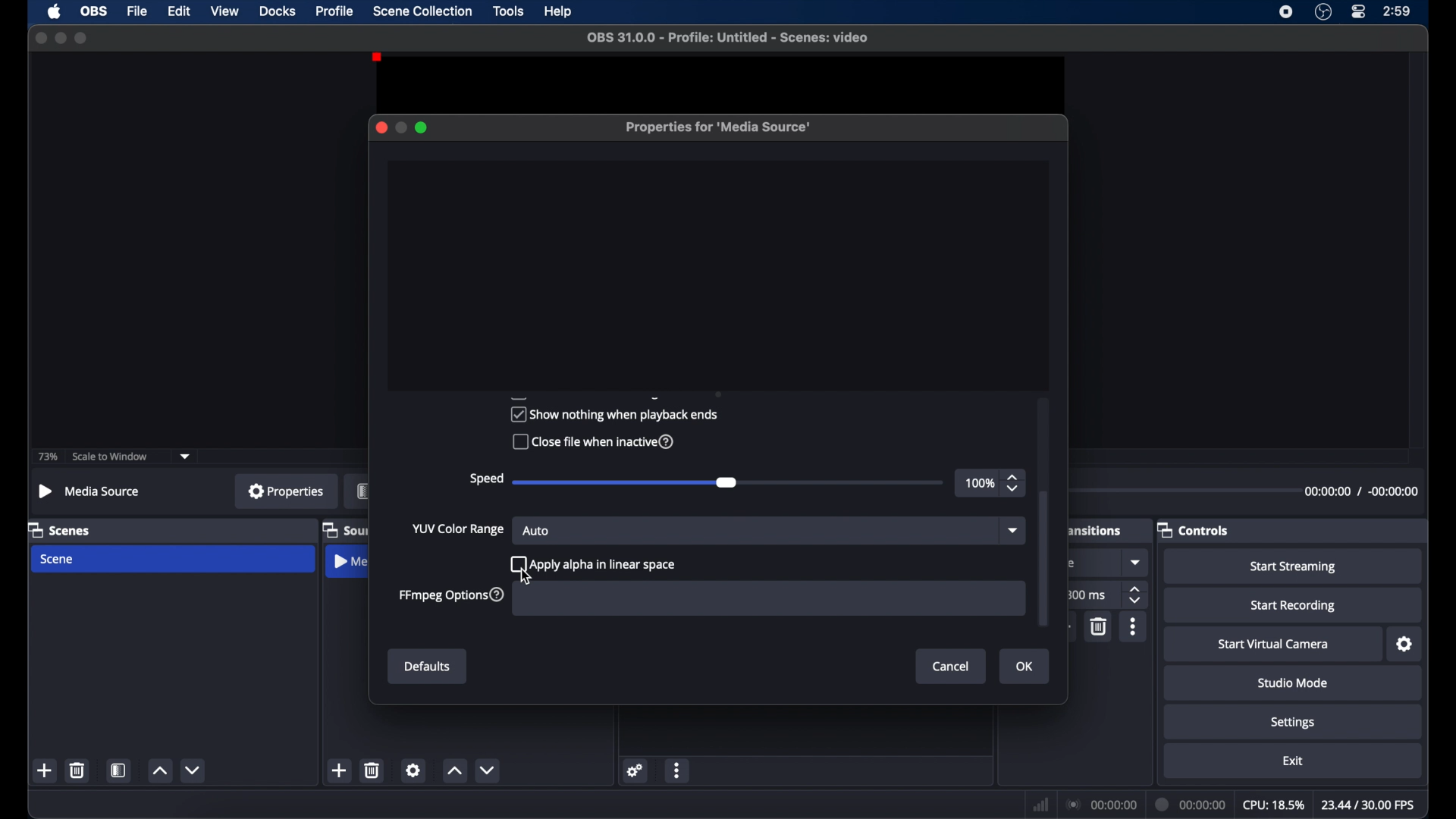 The image size is (1456, 819). I want to click on obscure label, so click(1096, 529).